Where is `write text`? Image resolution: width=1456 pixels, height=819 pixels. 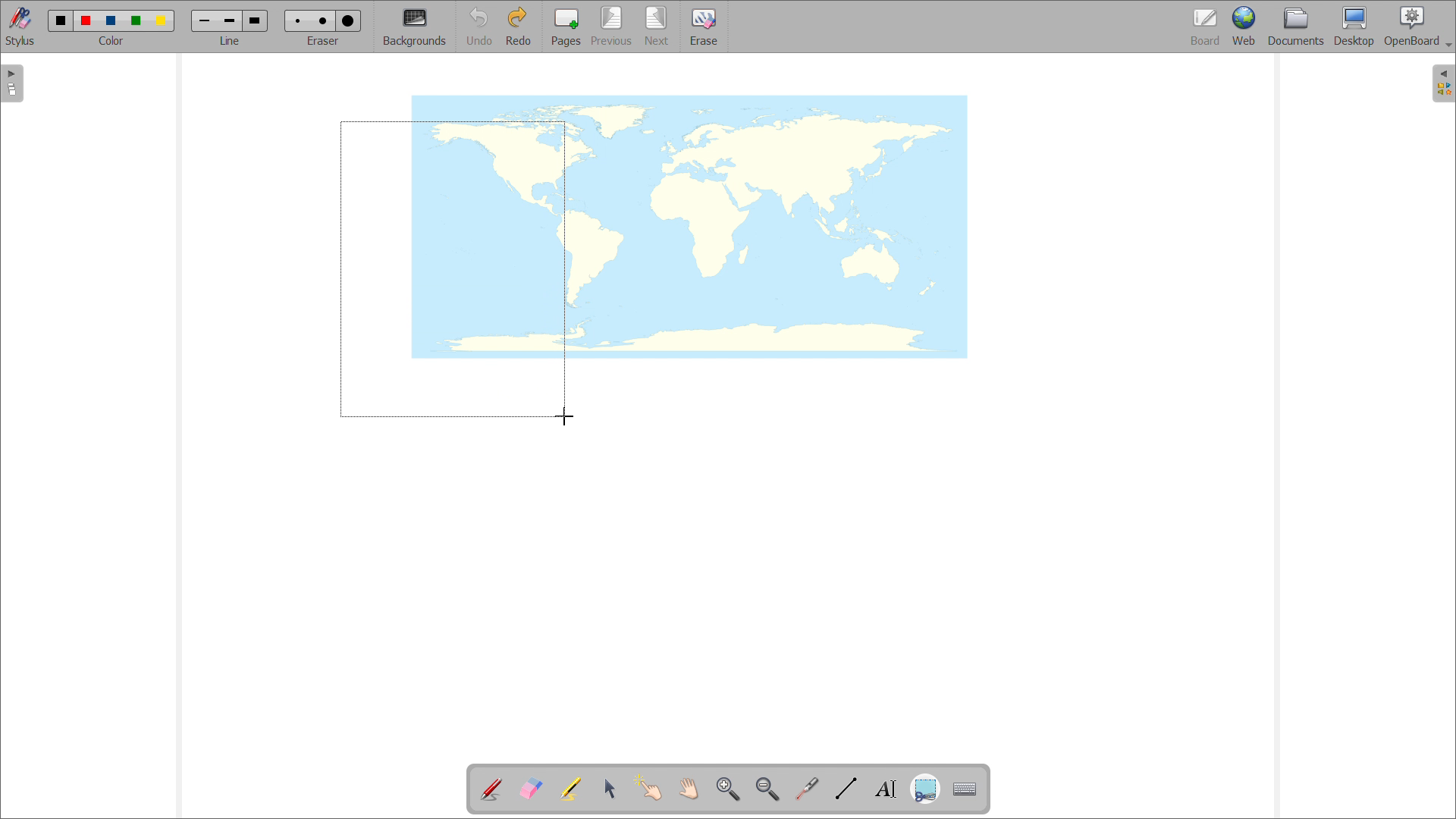 write text is located at coordinates (886, 789).